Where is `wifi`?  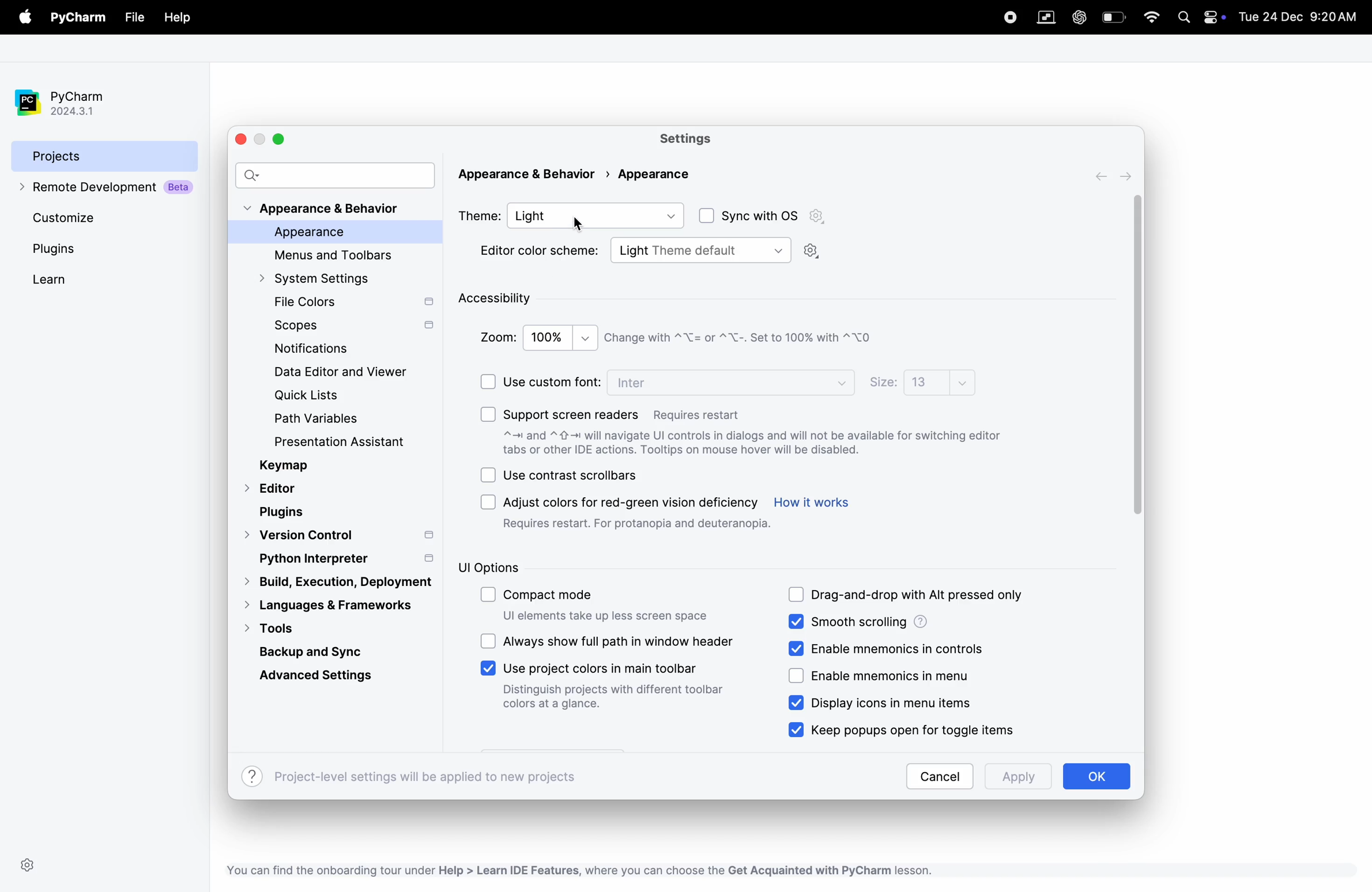
wifi is located at coordinates (1152, 17).